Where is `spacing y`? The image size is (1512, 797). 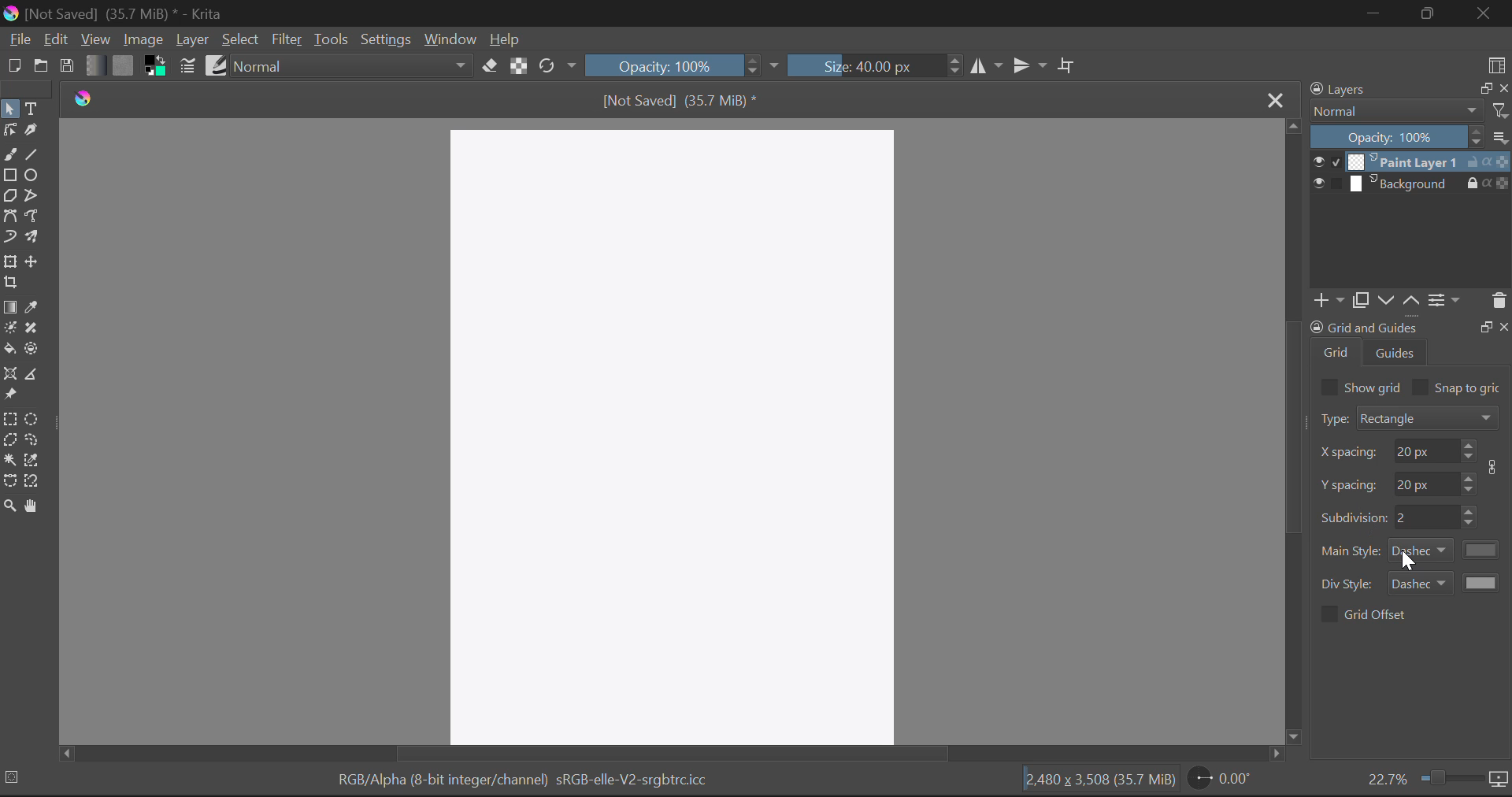 spacing y is located at coordinates (1350, 484).